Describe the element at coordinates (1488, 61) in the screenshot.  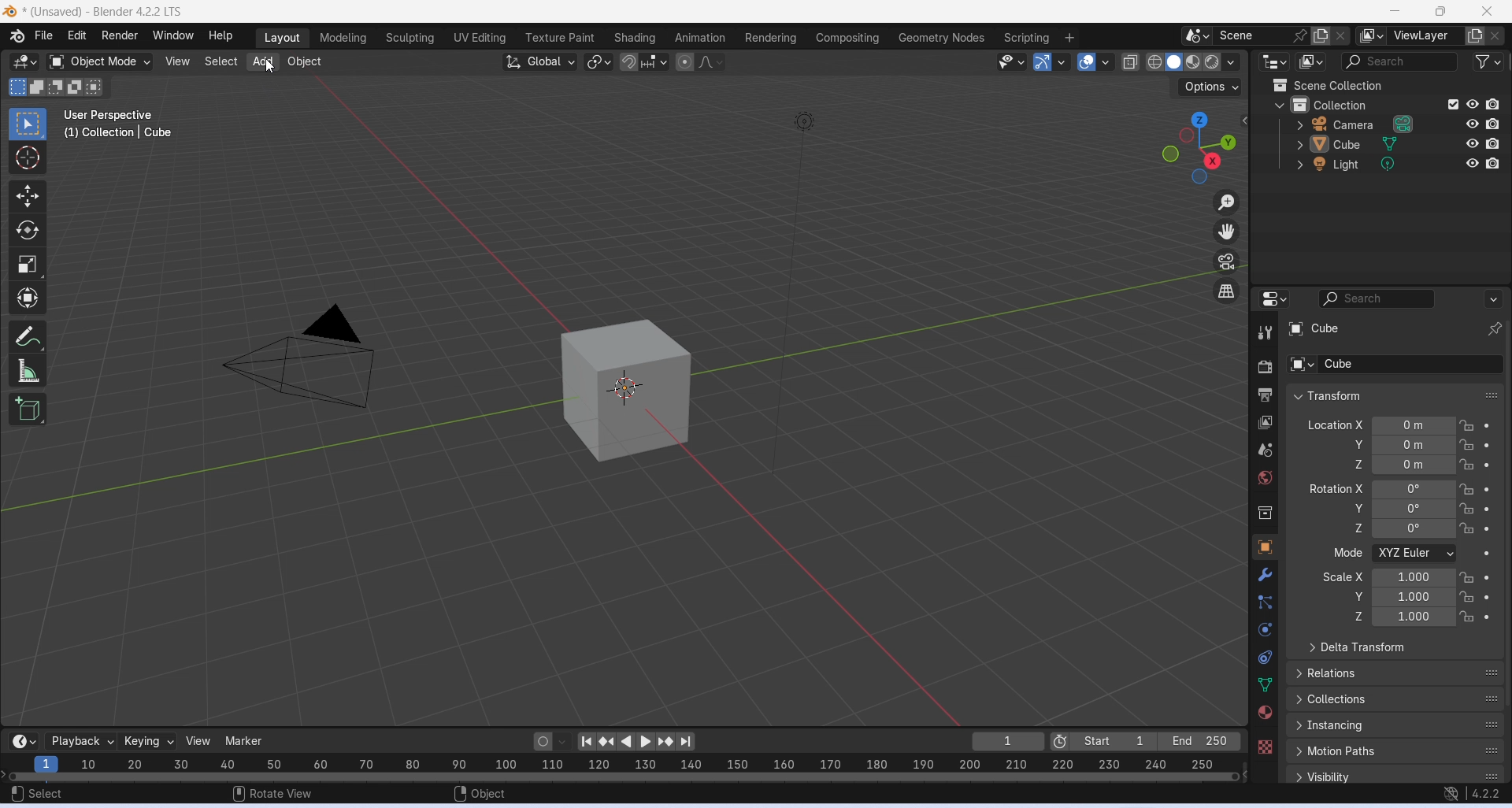
I see `filter` at that location.